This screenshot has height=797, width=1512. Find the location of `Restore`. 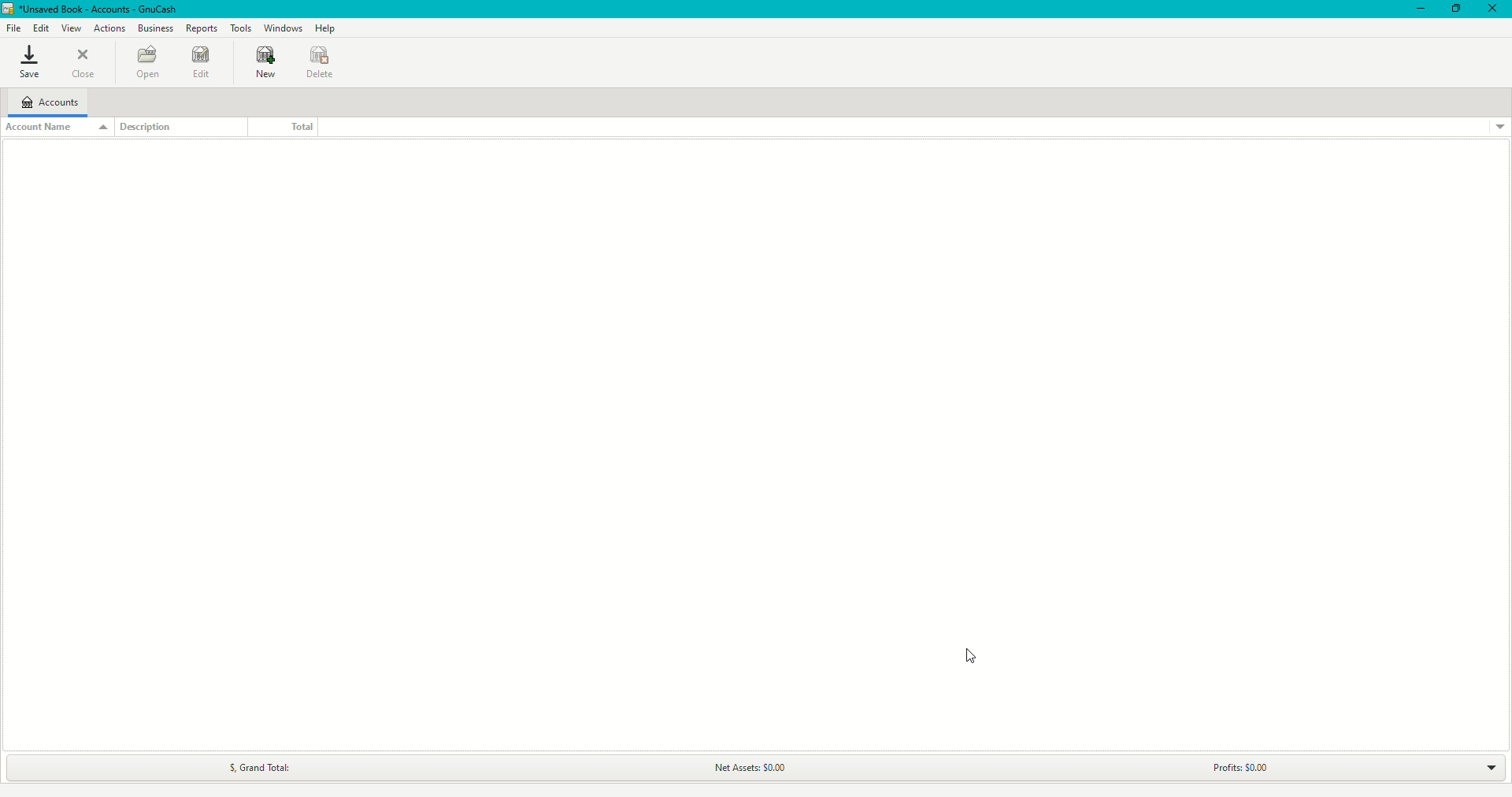

Restore is located at coordinates (1455, 9).